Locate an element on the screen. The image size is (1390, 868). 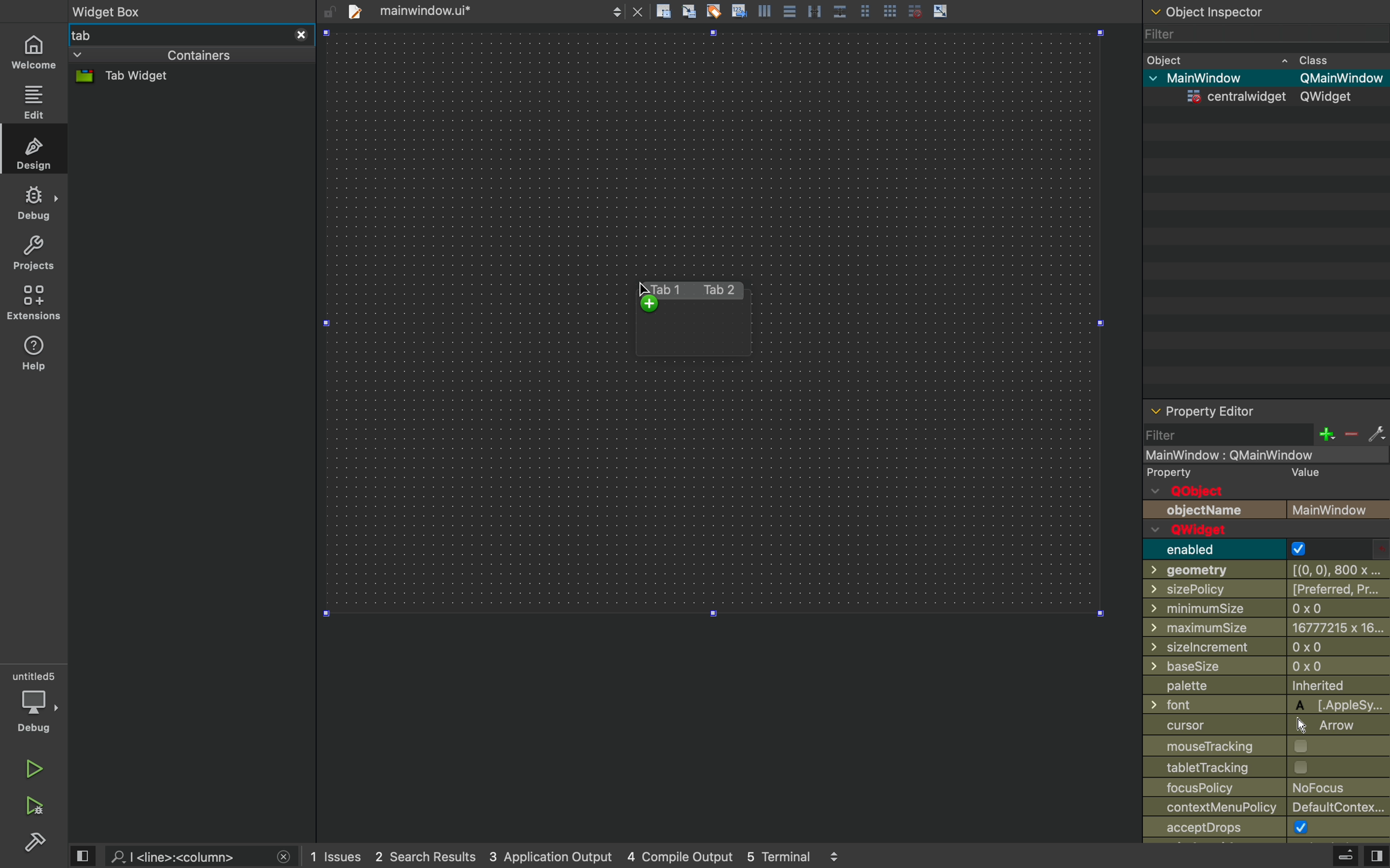
build is located at coordinates (34, 845).